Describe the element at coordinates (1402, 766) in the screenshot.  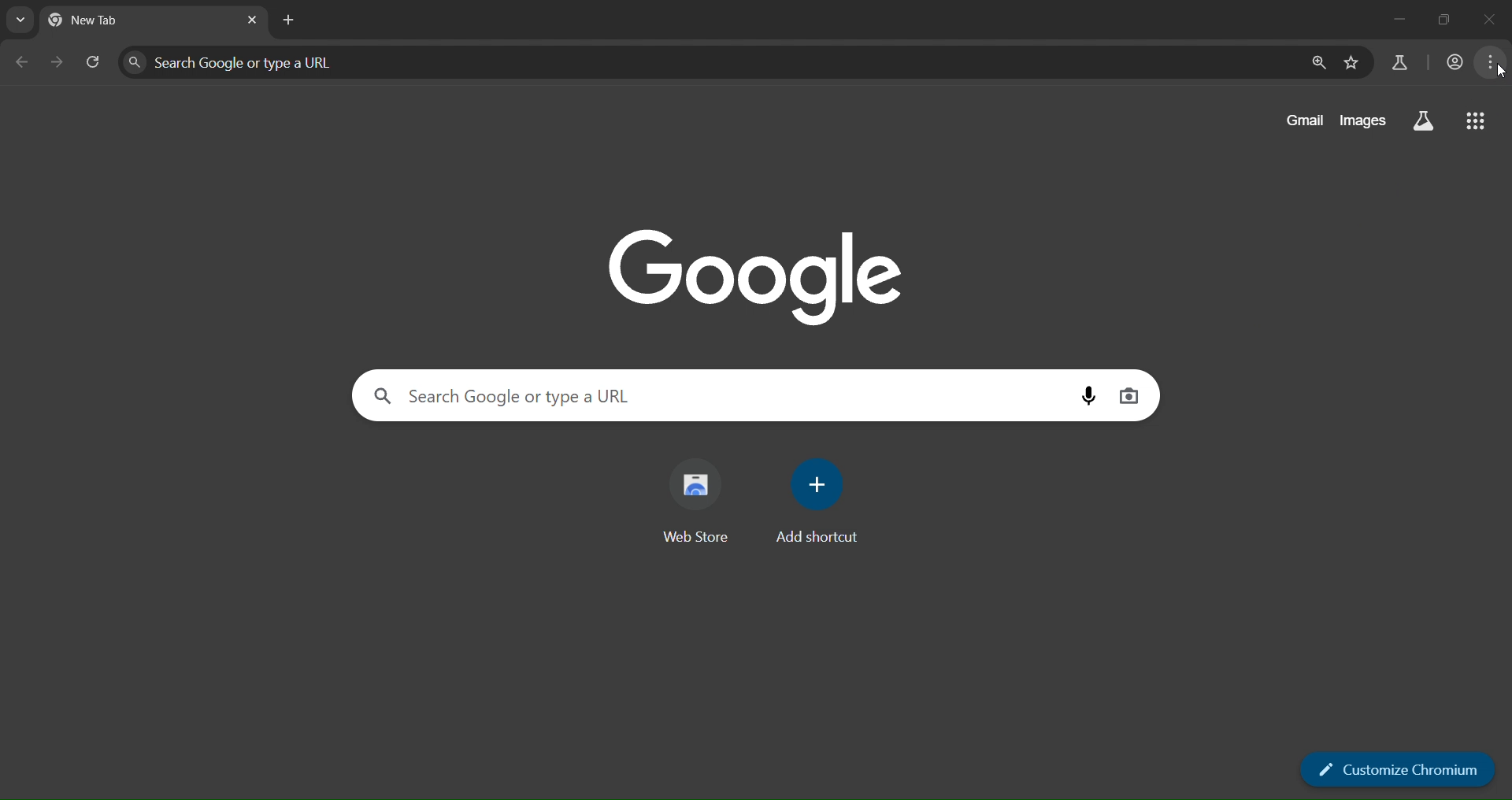
I see `customize chromium` at that location.